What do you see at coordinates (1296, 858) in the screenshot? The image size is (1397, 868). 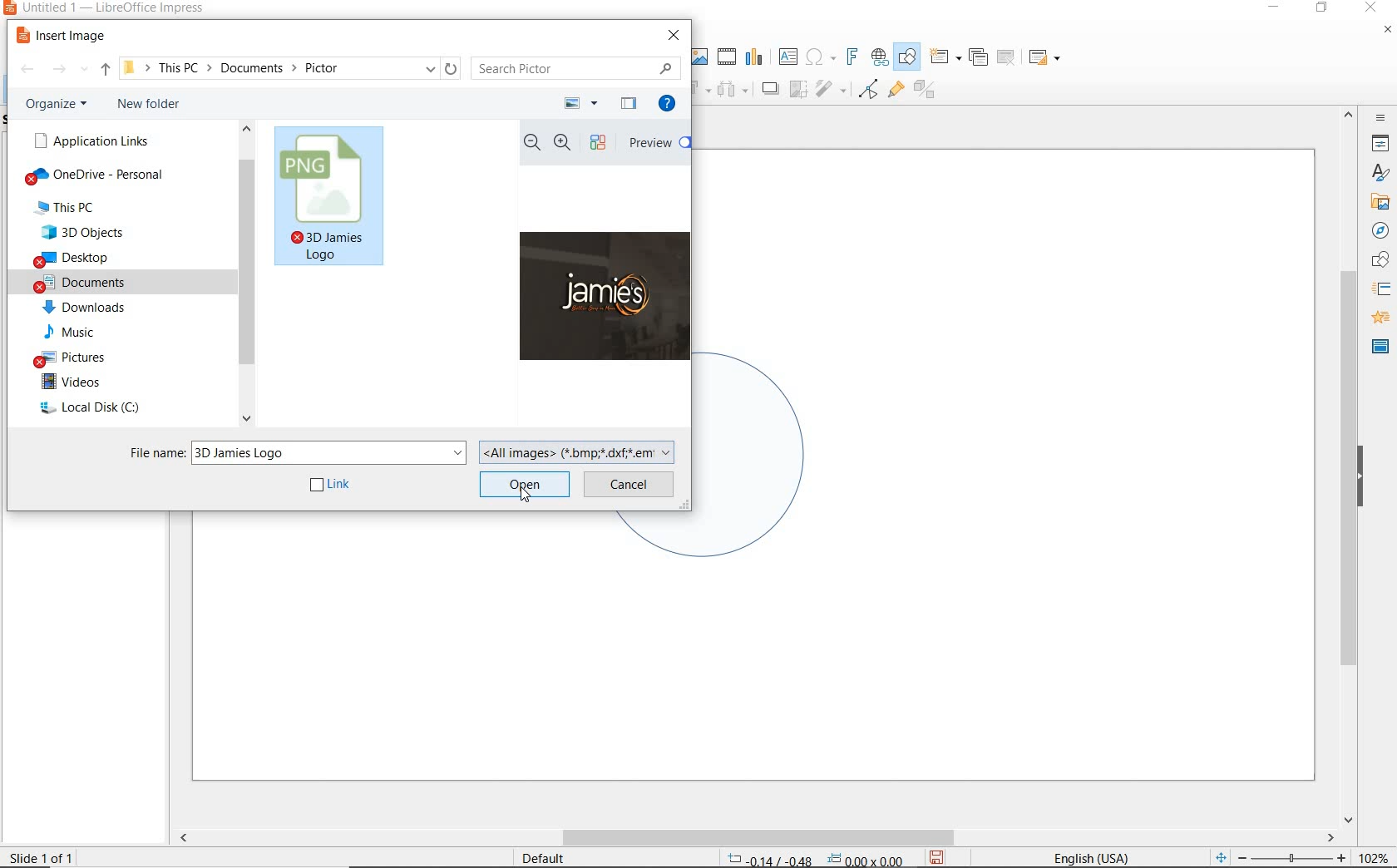 I see `zoom` at bounding box center [1296, 858].